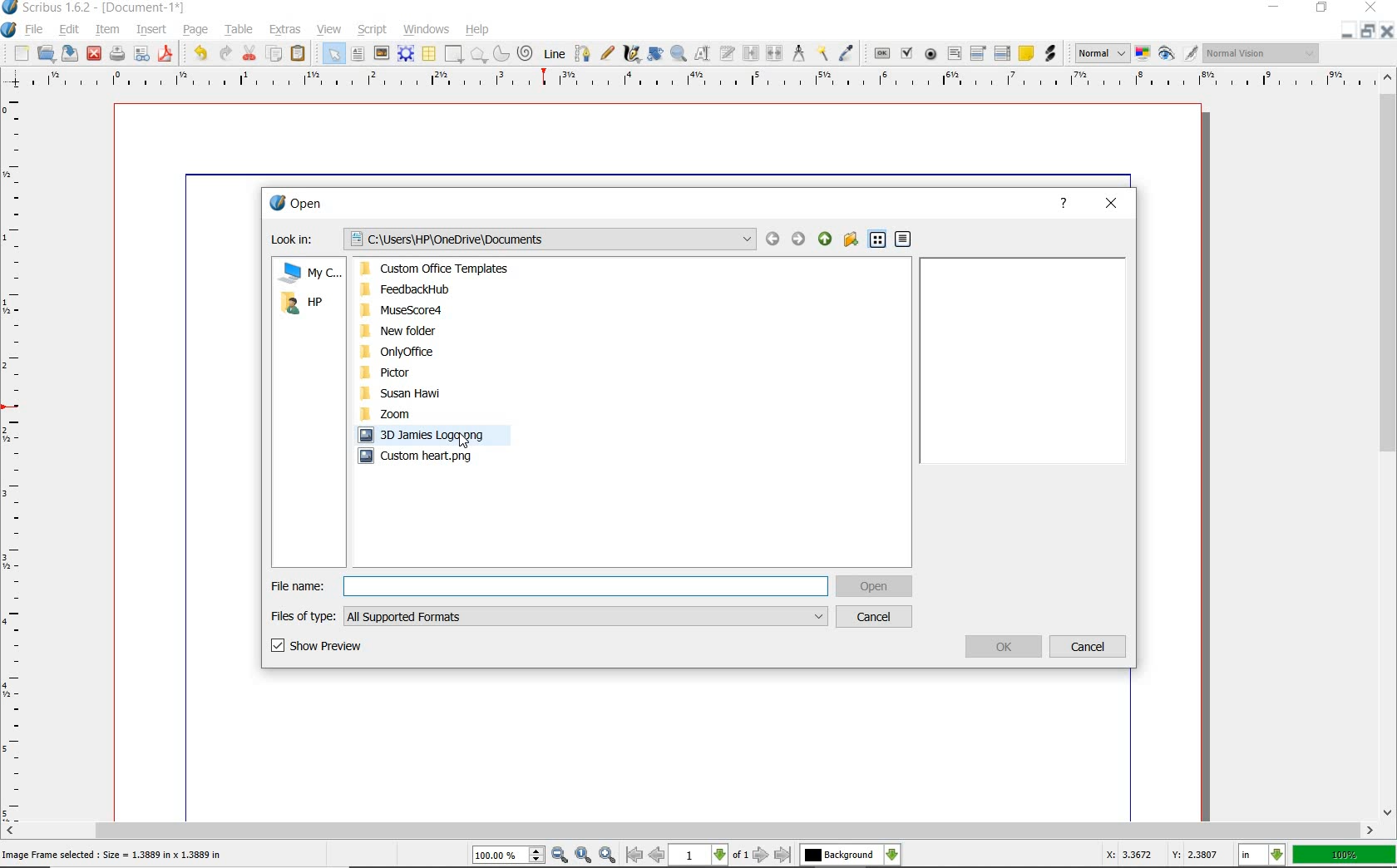  Describe the element at coordinates (654, 54) in the screenshot. I see `edit contents of frame` at that location.